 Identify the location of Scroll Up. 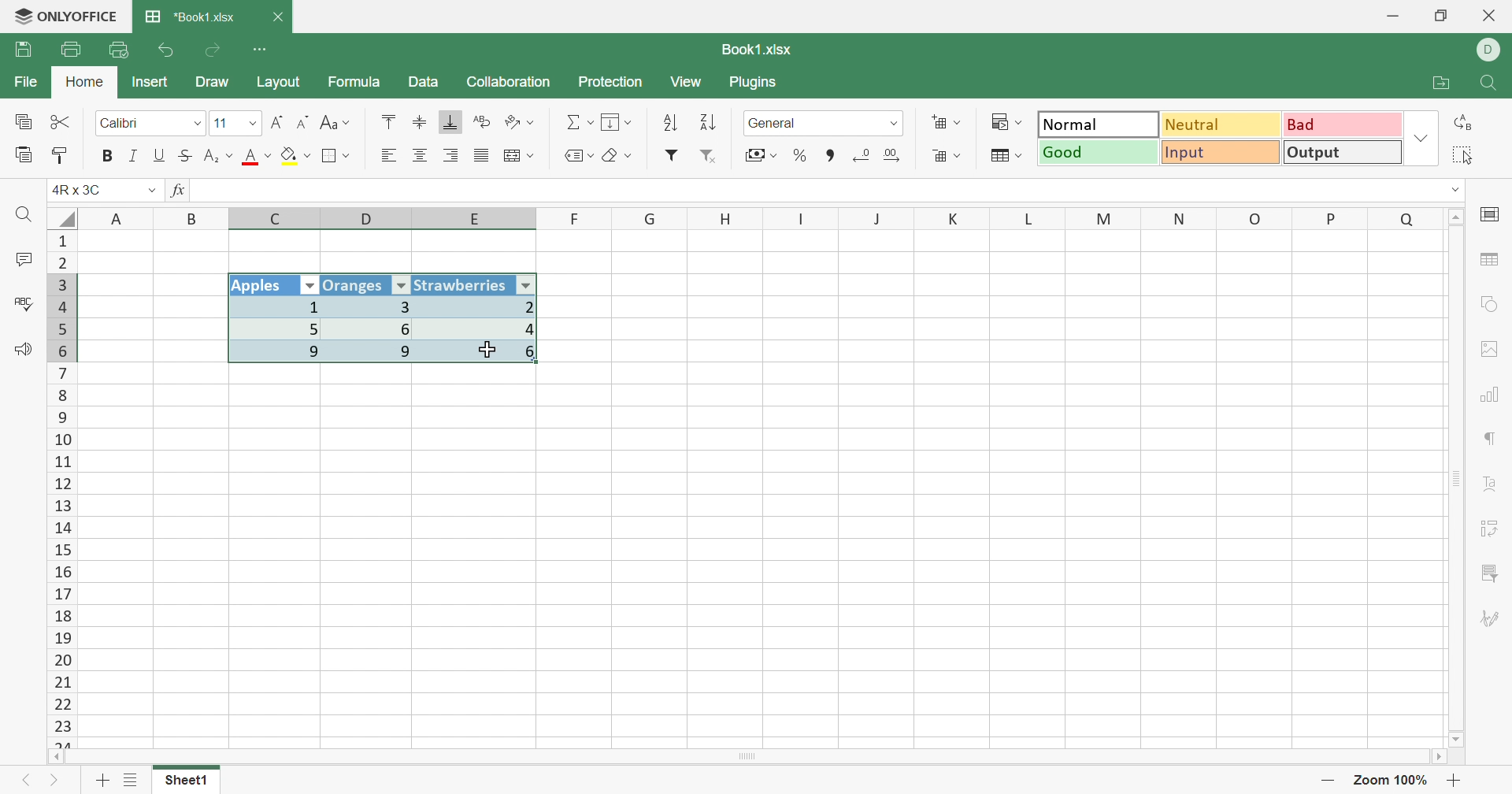
(1458, 215).